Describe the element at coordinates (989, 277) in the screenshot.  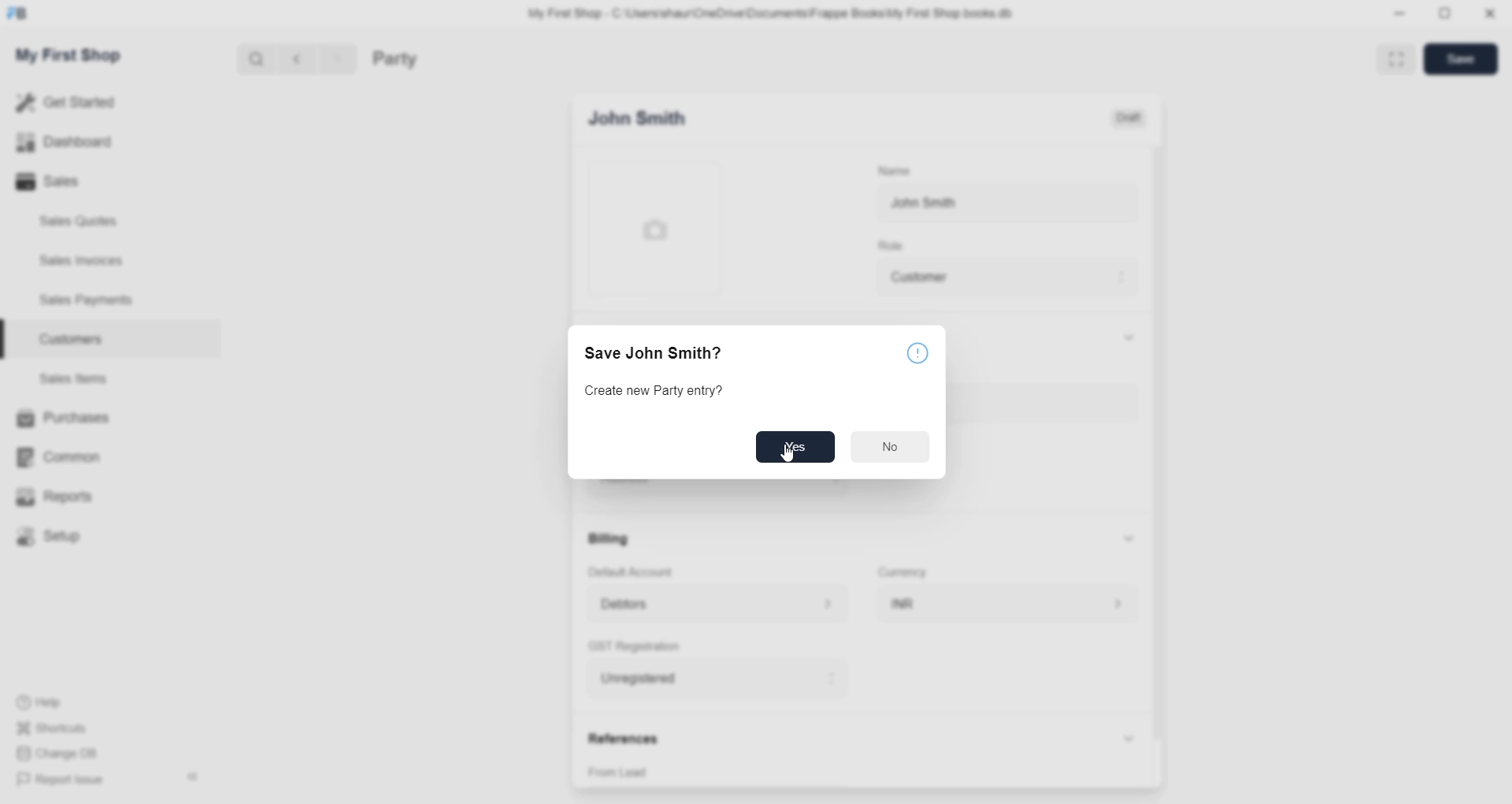
I see `customer` at that location.